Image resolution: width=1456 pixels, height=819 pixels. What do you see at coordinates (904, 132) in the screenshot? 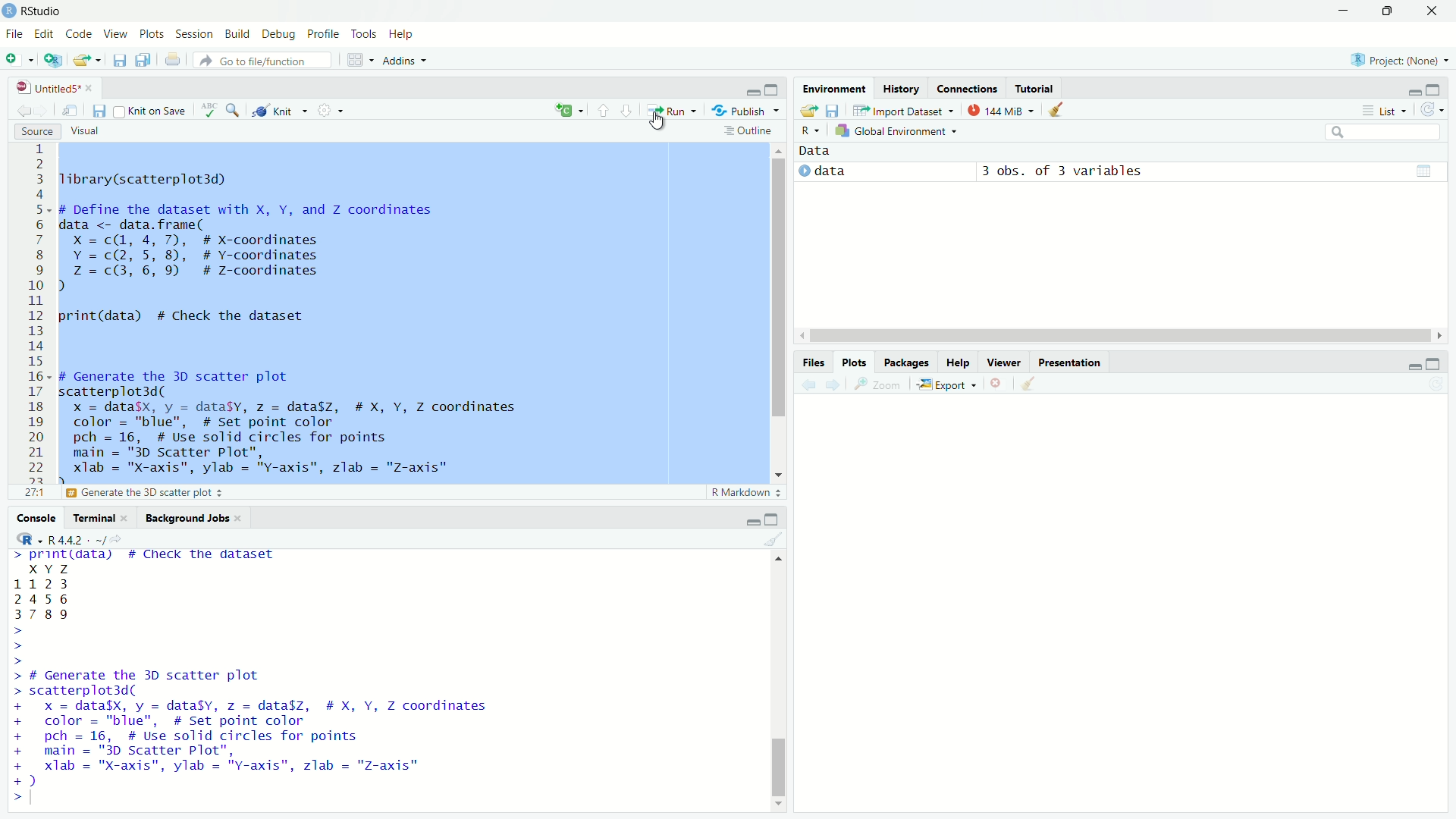
I see `global environment` at bounding box center [904, 132].